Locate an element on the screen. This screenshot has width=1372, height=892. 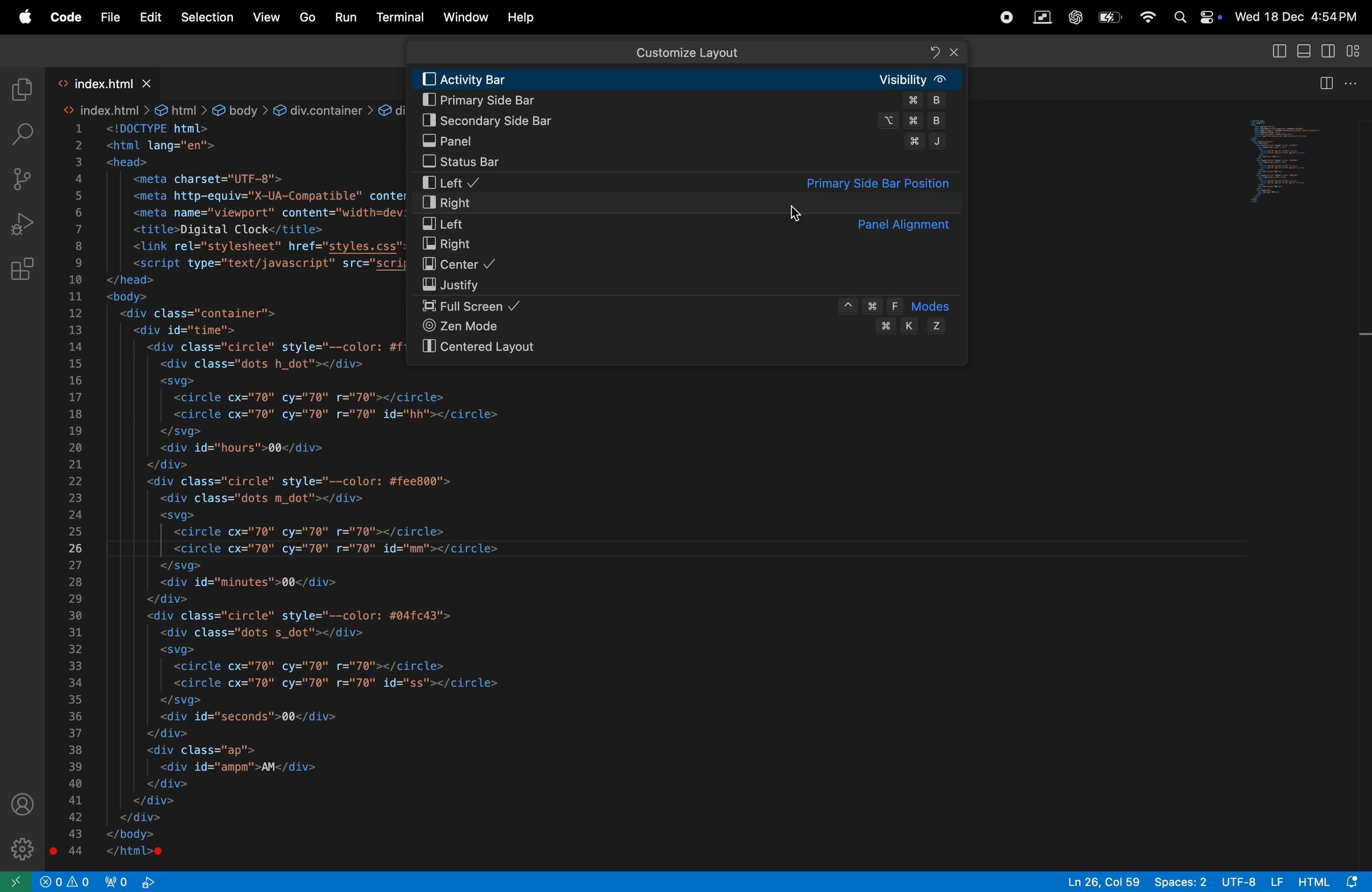
settings is located at coordinates (21, 851).